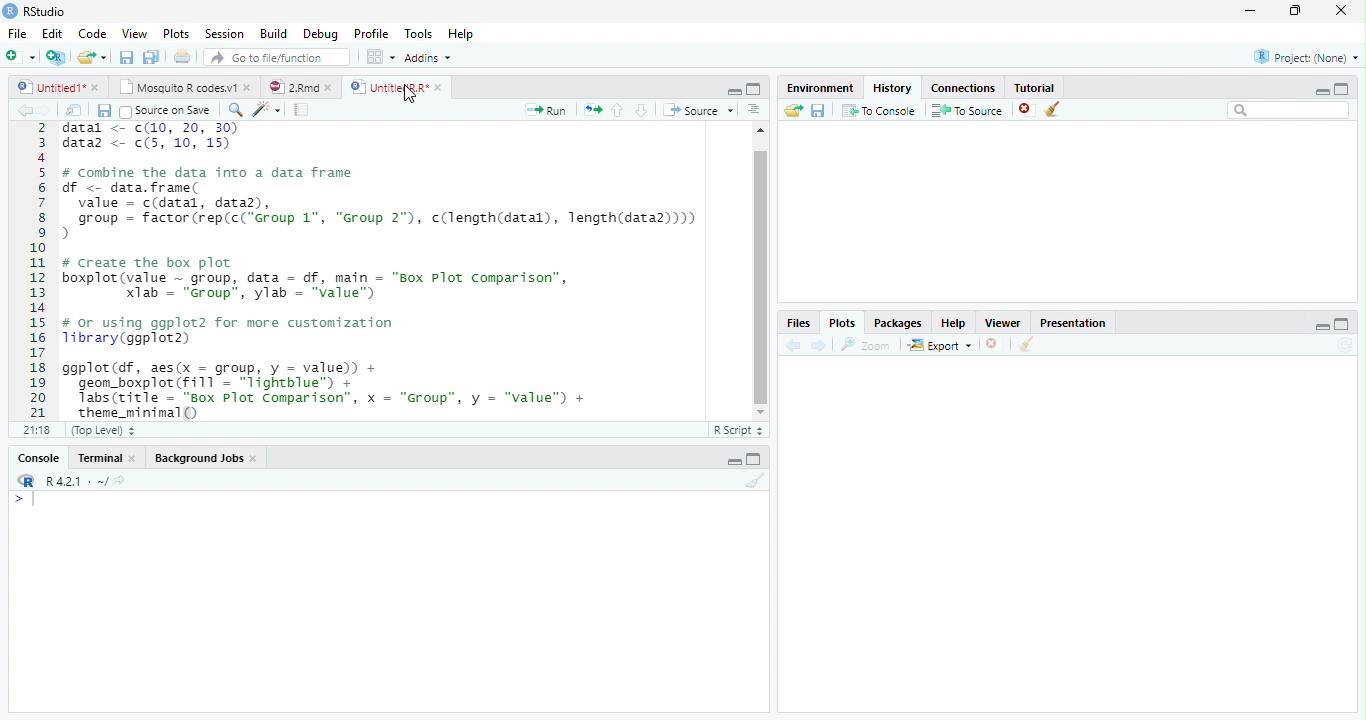 Image resolution: width=1366 pixels, height=720 pixels. Describe the element at coordinates (756, 480) in the screenshot. I see `Clear console` at that location.